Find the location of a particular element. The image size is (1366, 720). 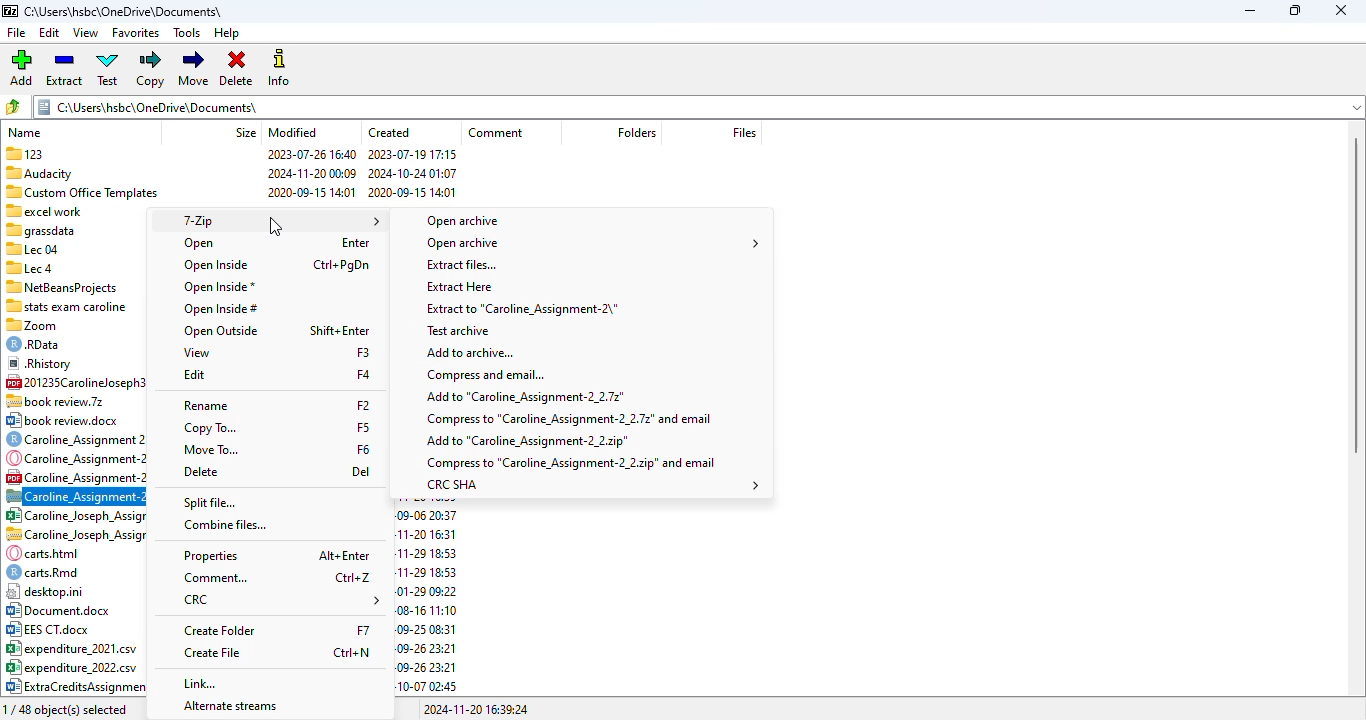

shortcut for move to is located at coordinates (364, 448).